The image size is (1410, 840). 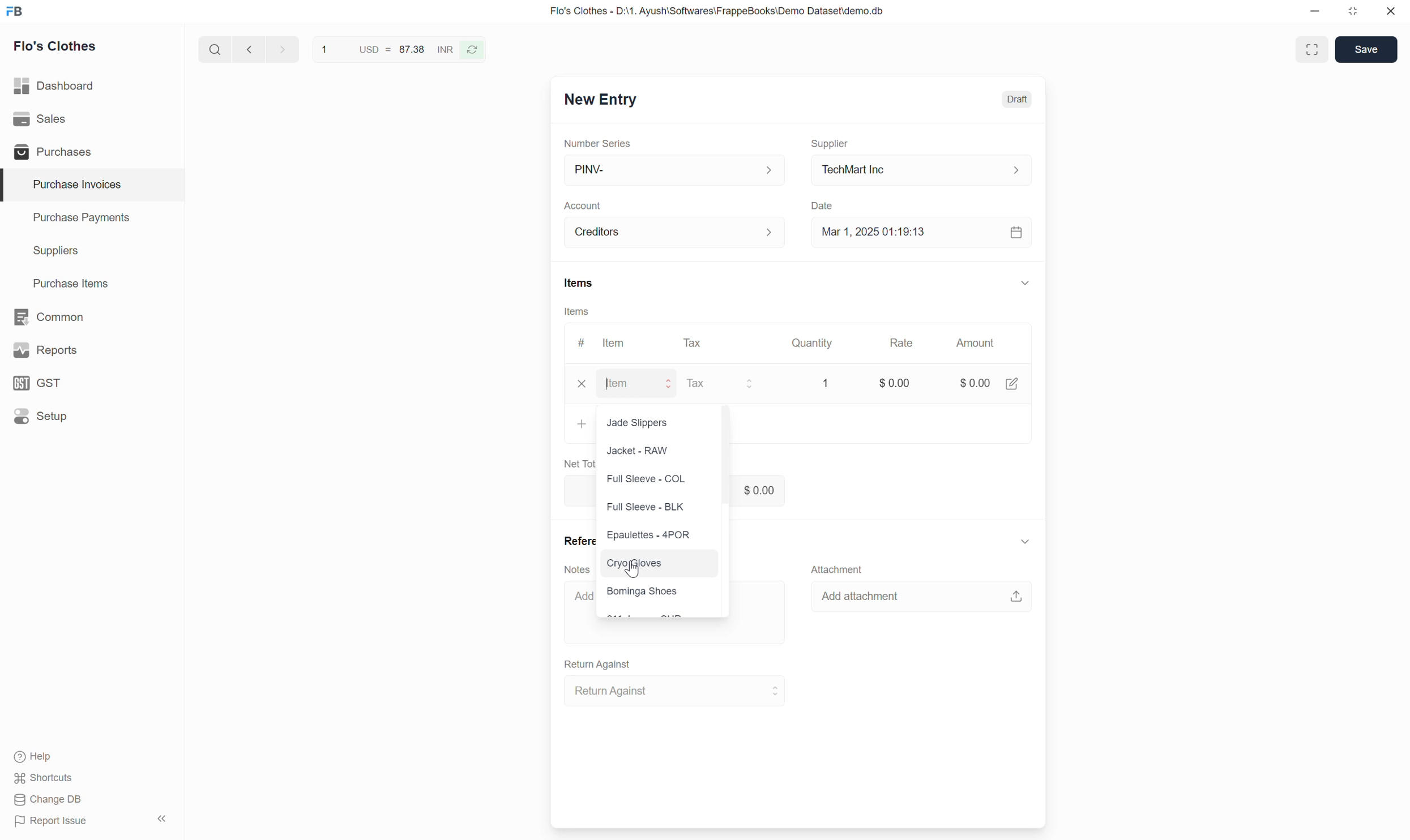 What do you see at coordinates (653, 535) in the screenshot?
I see `Epaulettes - 4POR` at bounding box center [653, 535].